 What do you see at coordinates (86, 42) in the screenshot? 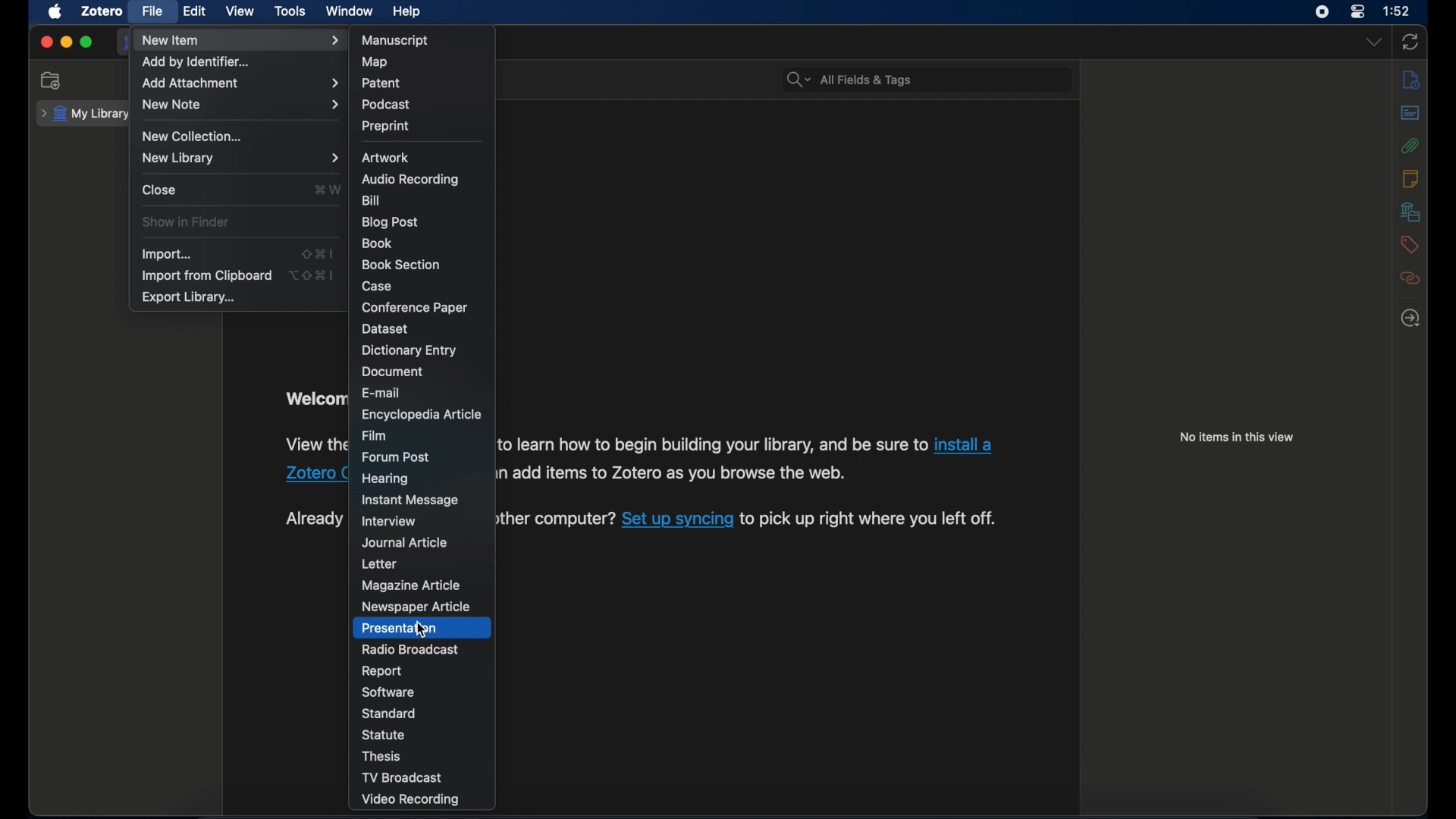
I see `maximize` at bounding box center [86, 42].